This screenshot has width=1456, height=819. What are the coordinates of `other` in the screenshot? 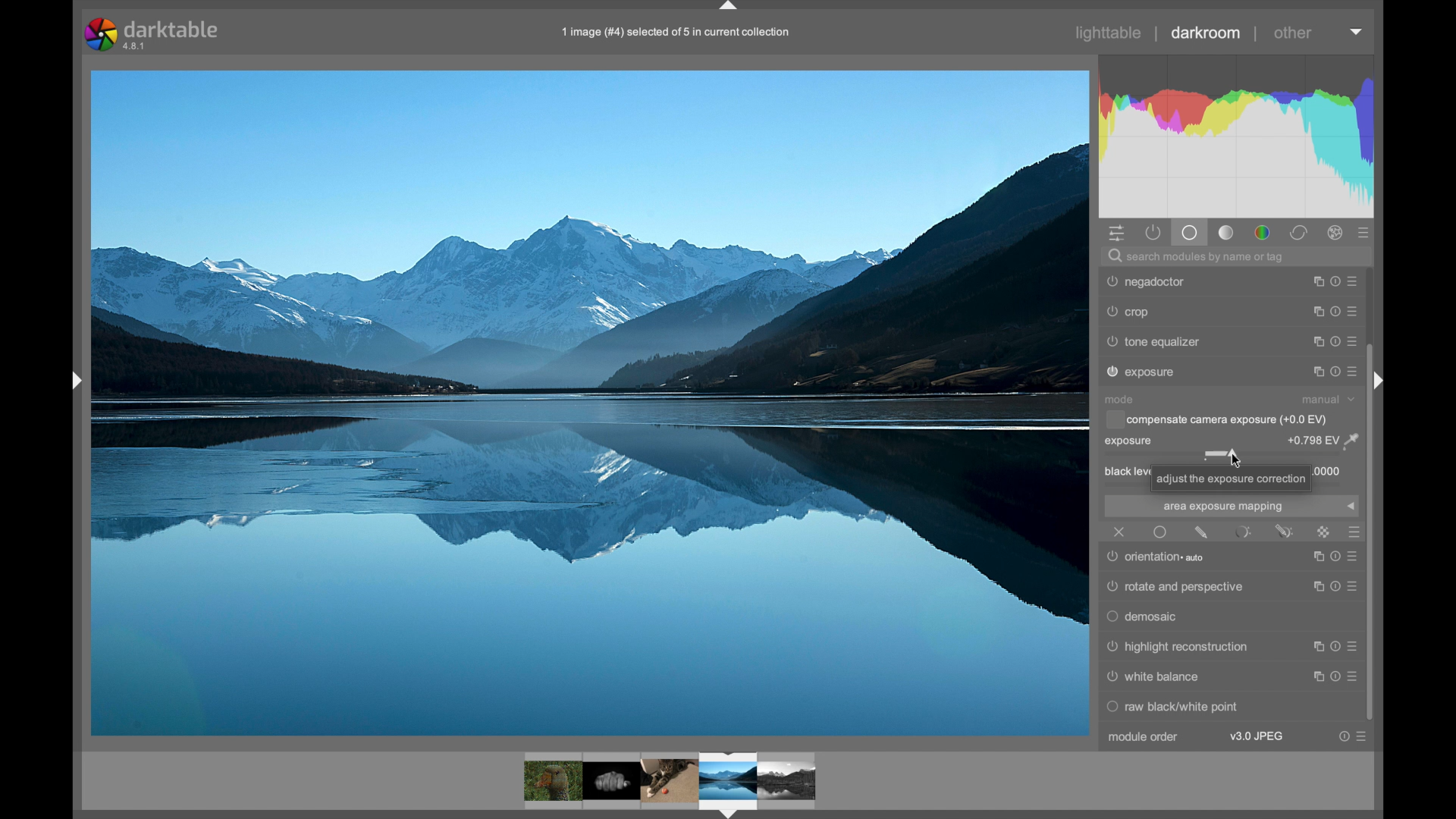 It's located at (1294, 33).